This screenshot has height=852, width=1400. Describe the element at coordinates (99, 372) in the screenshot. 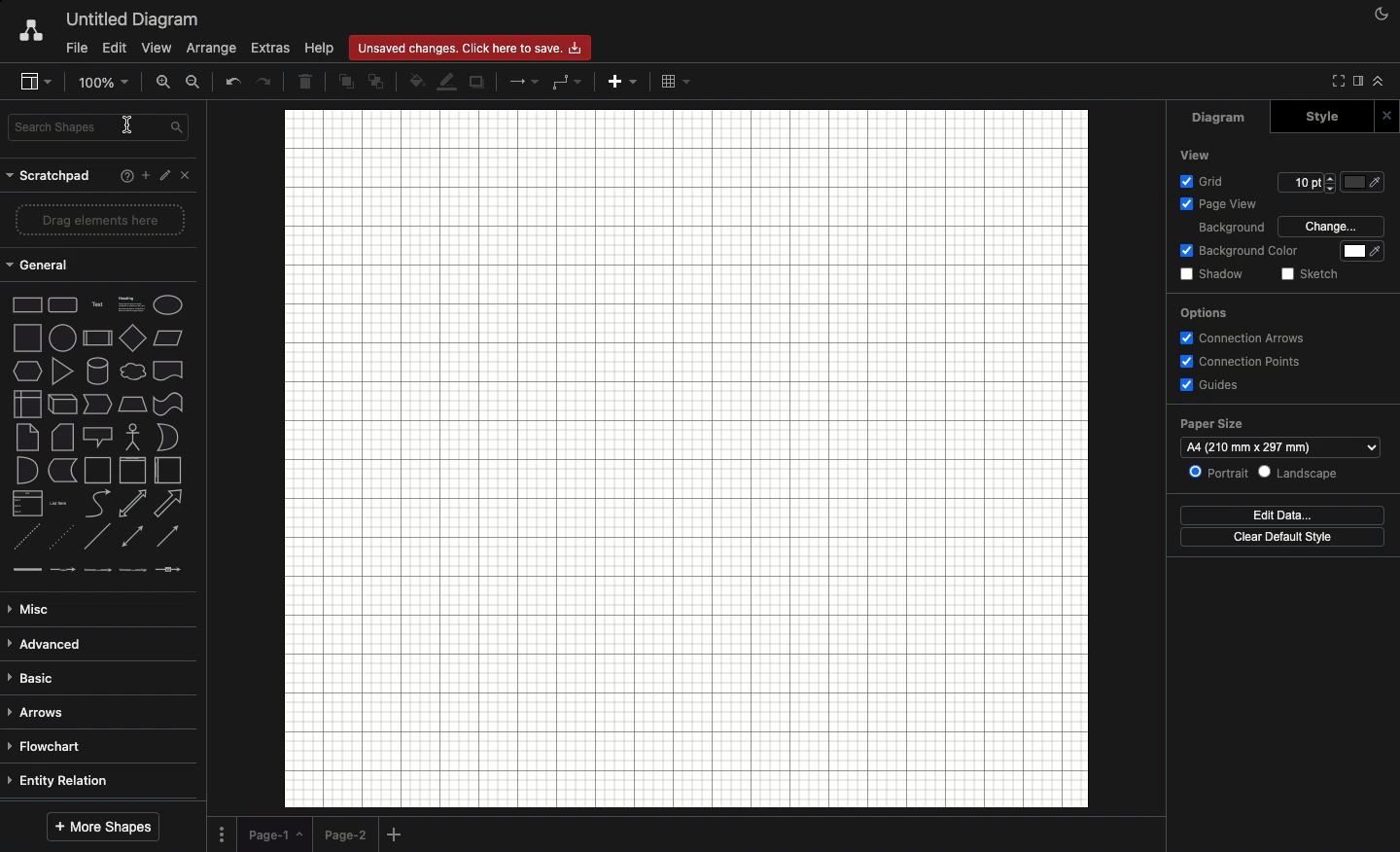

I see `2d shapes` at that location.